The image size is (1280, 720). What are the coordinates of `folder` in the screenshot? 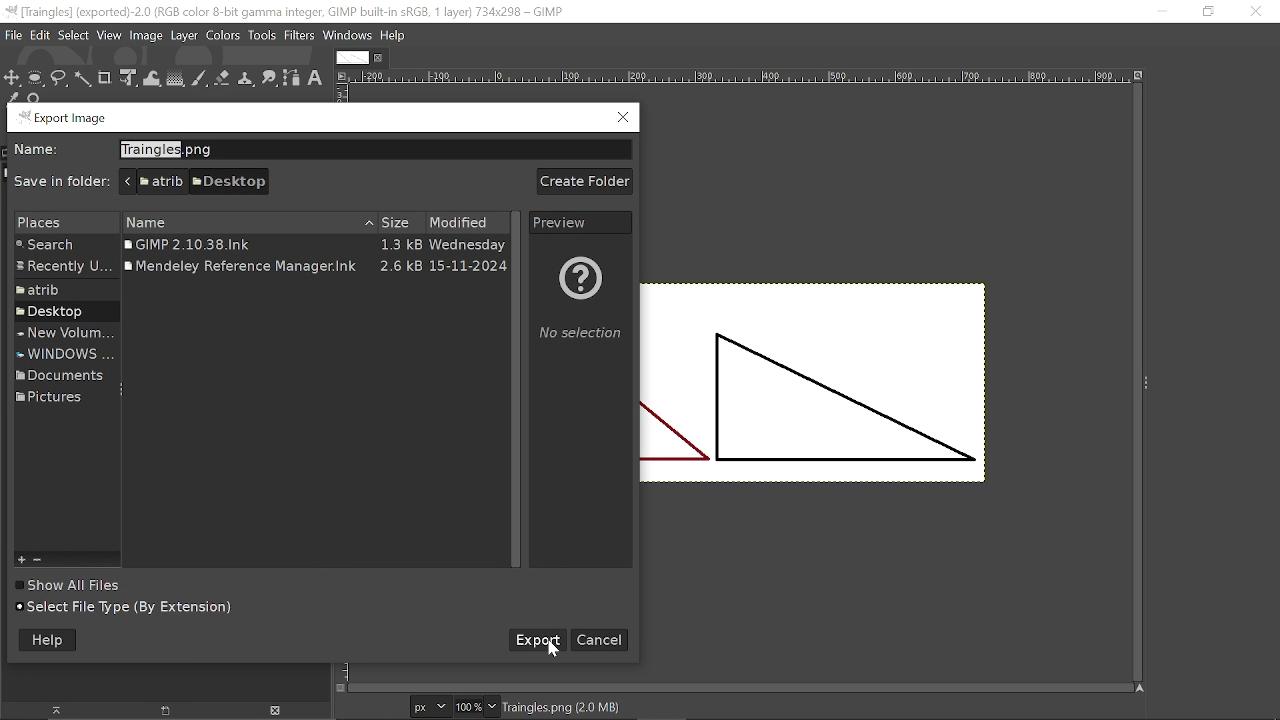 It's located at (57, 399).